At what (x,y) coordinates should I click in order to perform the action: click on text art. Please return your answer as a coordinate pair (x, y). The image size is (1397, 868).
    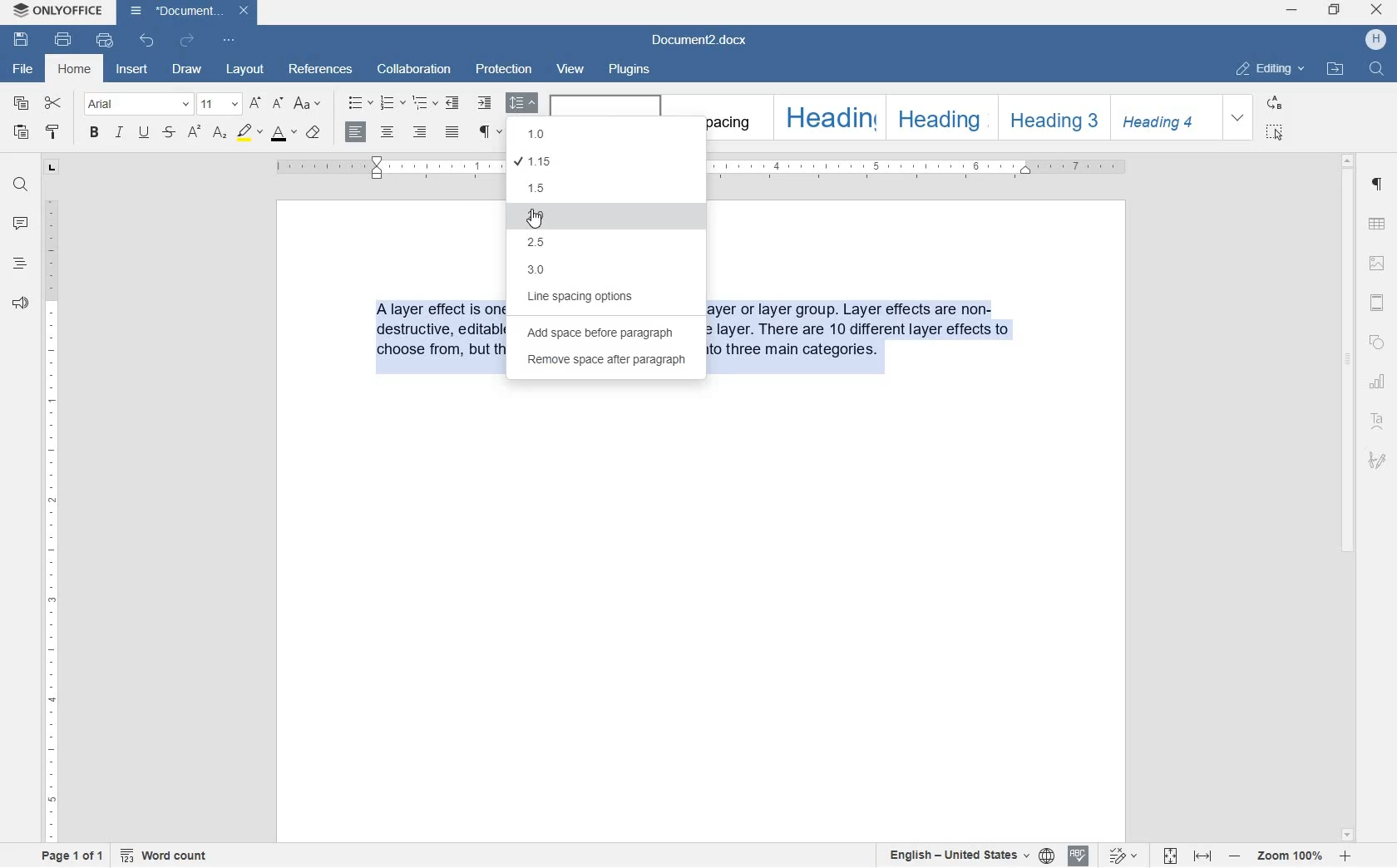
    Looking at the image, I should click on (1378, 421).